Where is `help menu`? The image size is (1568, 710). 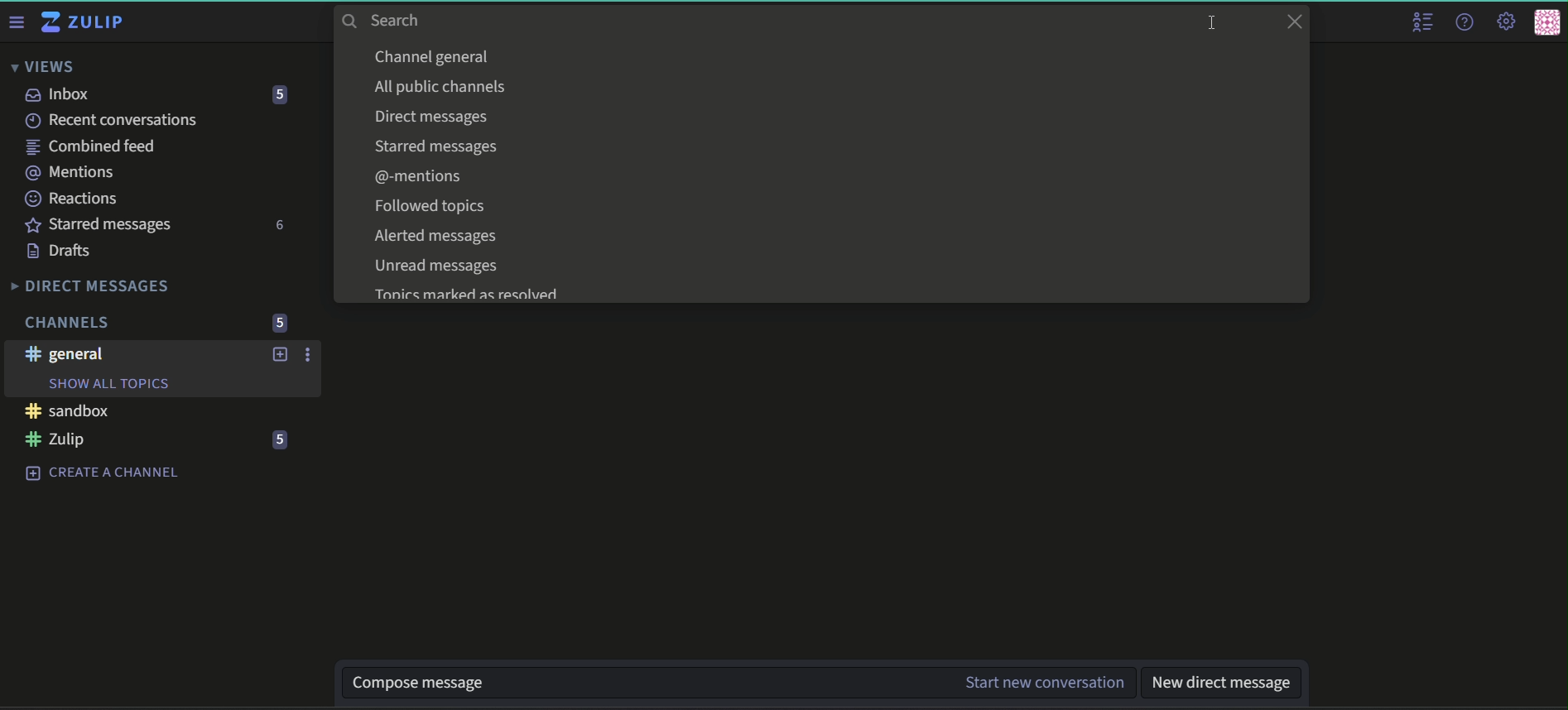 help menu is located at coordinates (1467, 21).